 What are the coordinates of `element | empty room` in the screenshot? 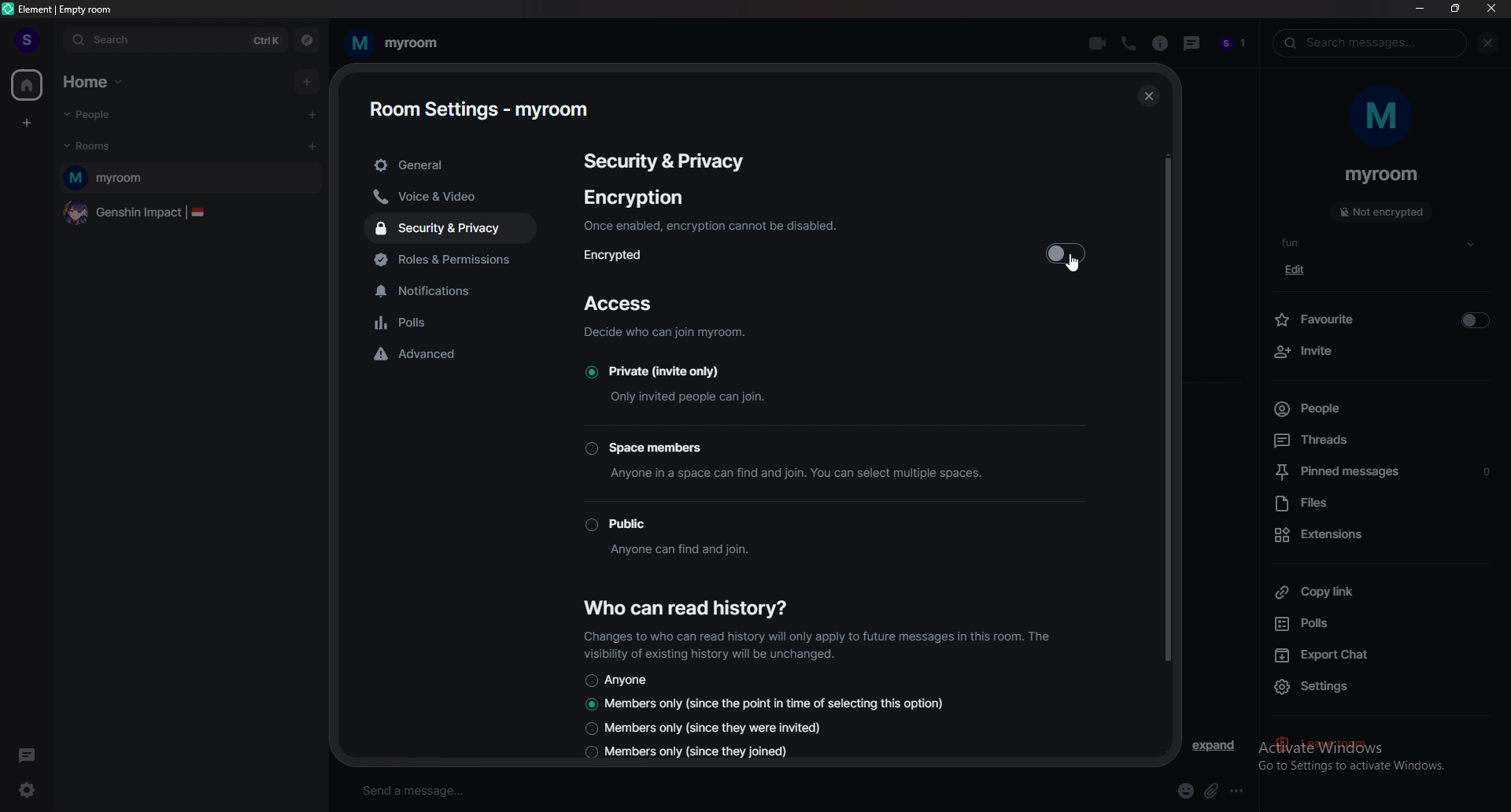 It's located at (67, 8).